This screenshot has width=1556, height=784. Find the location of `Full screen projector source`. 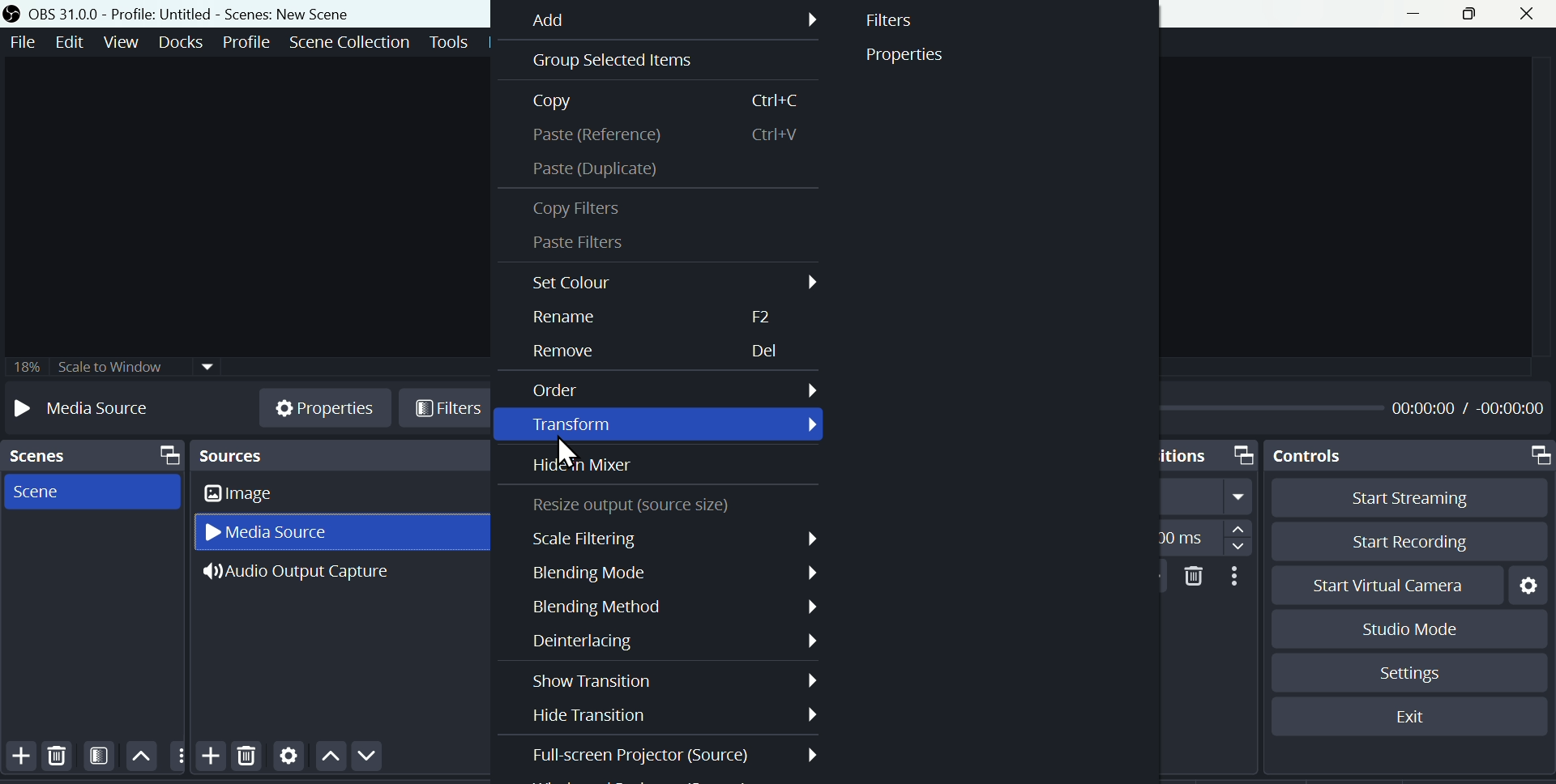

Full screen projector source is located at coordinates (675, 754).